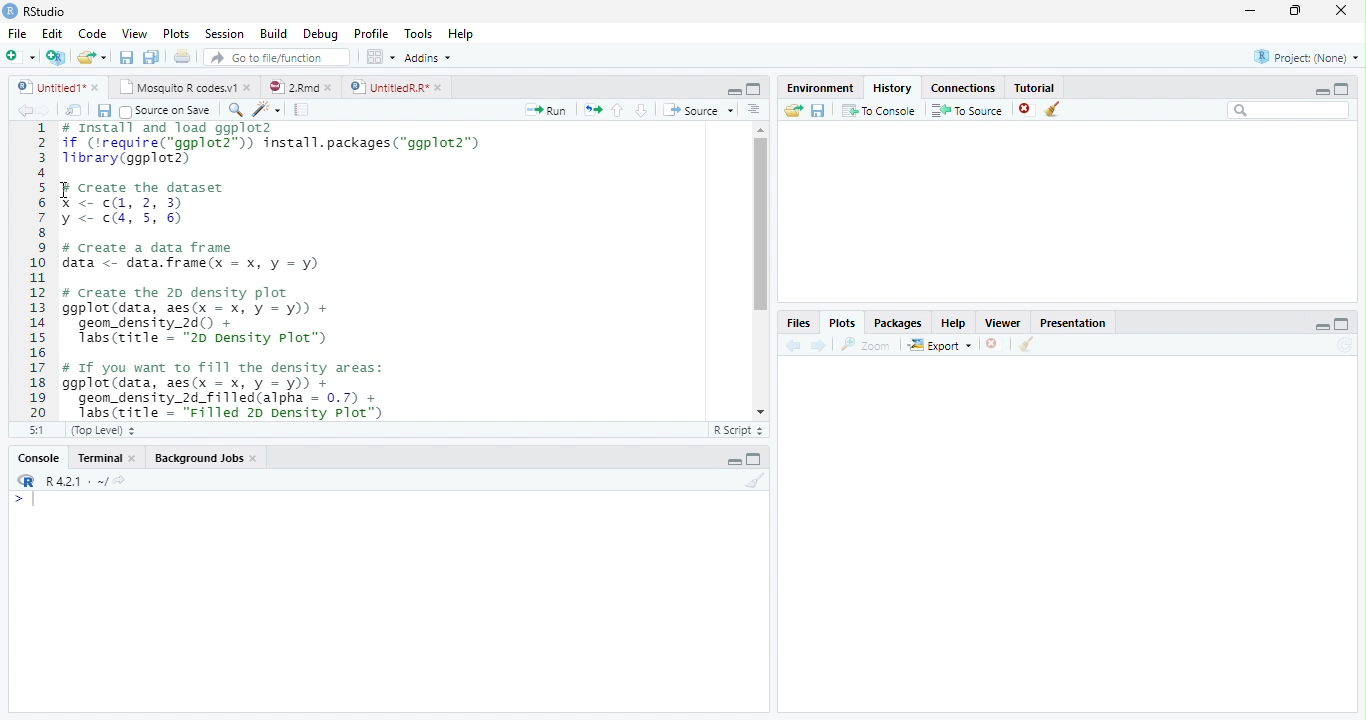 The image size is (1366, 720). I want to click on Presentatior, so click(1072, 324).